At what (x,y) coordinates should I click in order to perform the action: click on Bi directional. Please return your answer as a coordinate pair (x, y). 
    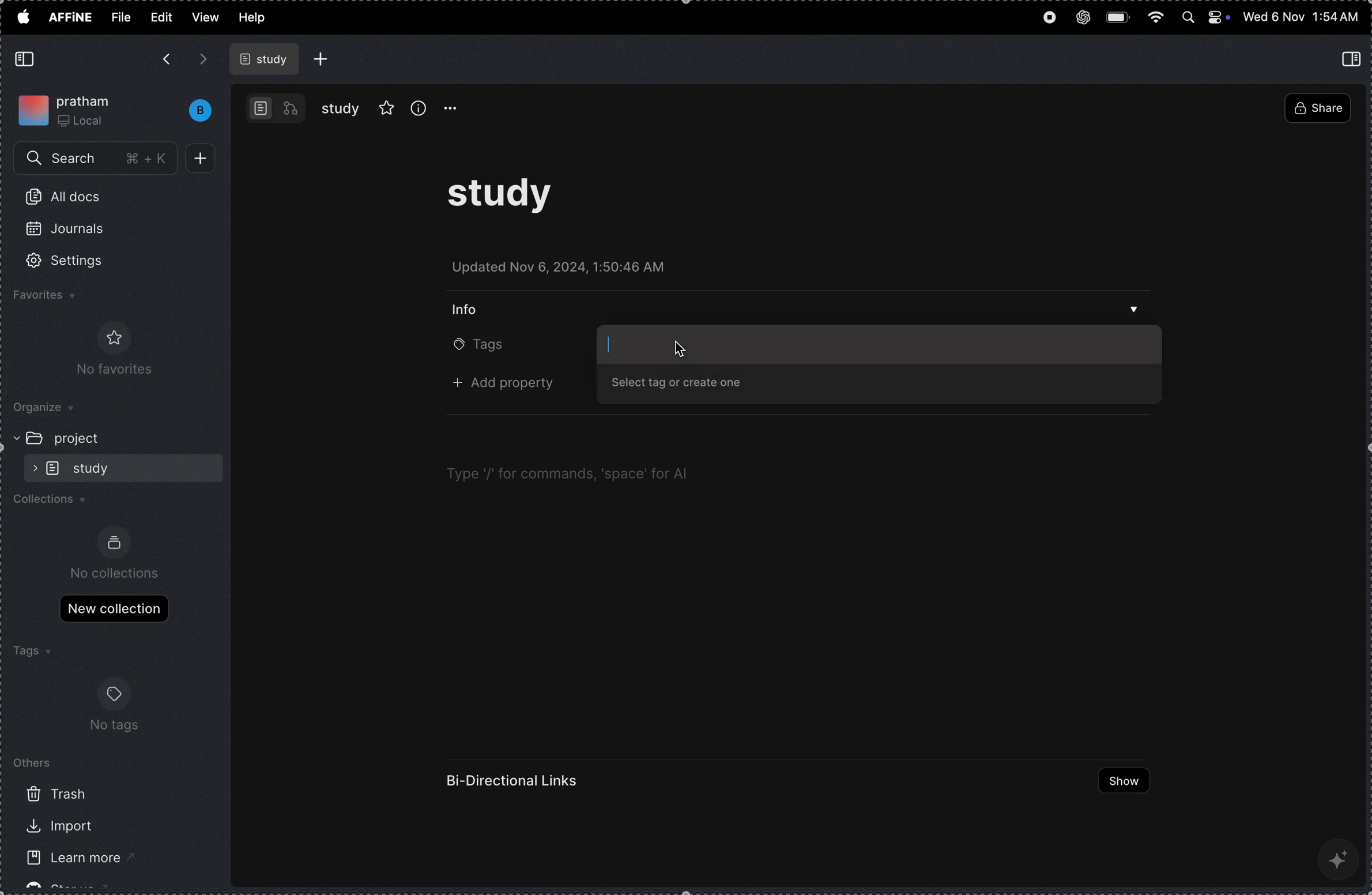
    Looking at the image, I should click on (515, 781).